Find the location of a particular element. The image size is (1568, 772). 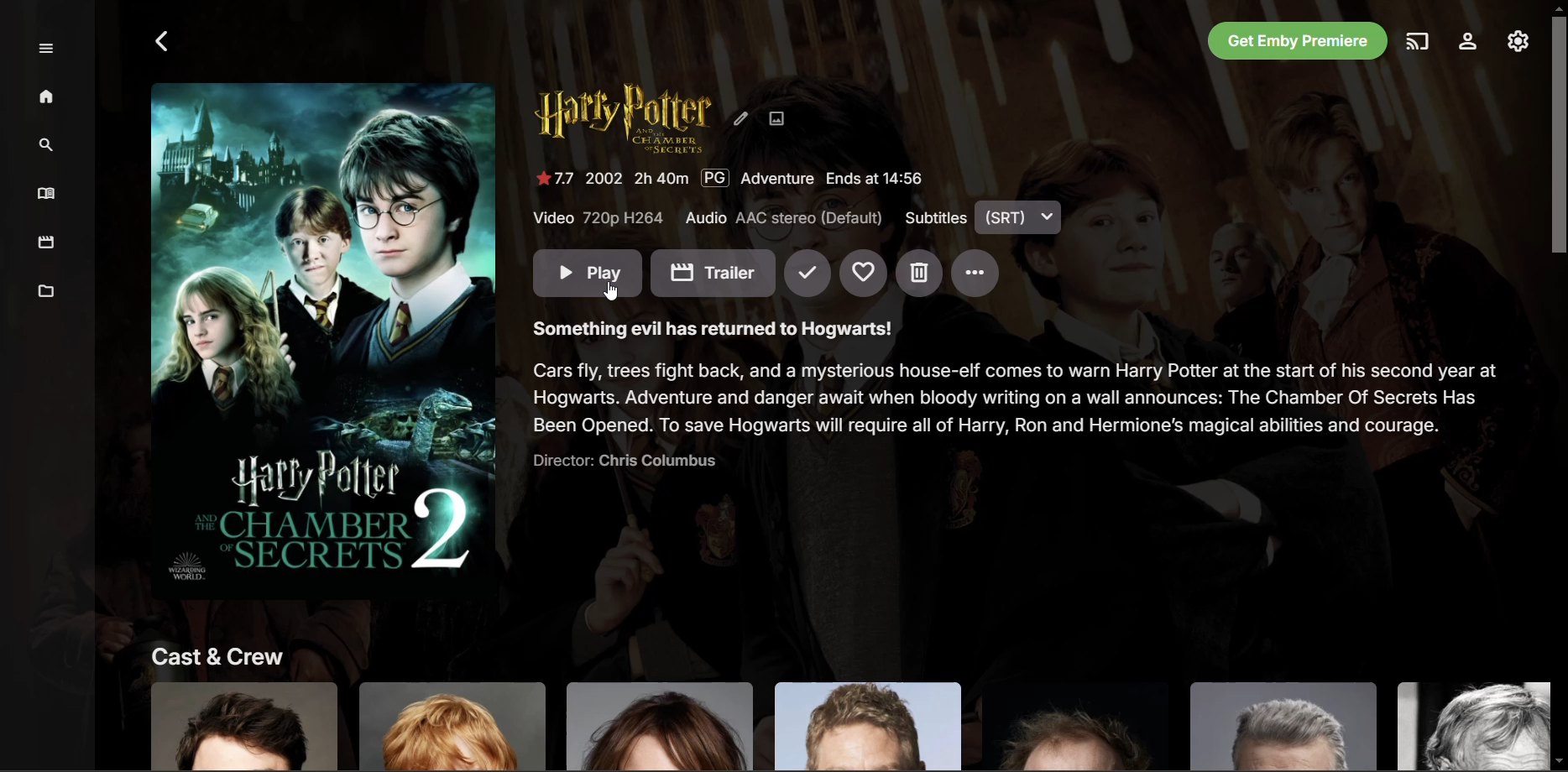

More is located at coordinates (974, 274).